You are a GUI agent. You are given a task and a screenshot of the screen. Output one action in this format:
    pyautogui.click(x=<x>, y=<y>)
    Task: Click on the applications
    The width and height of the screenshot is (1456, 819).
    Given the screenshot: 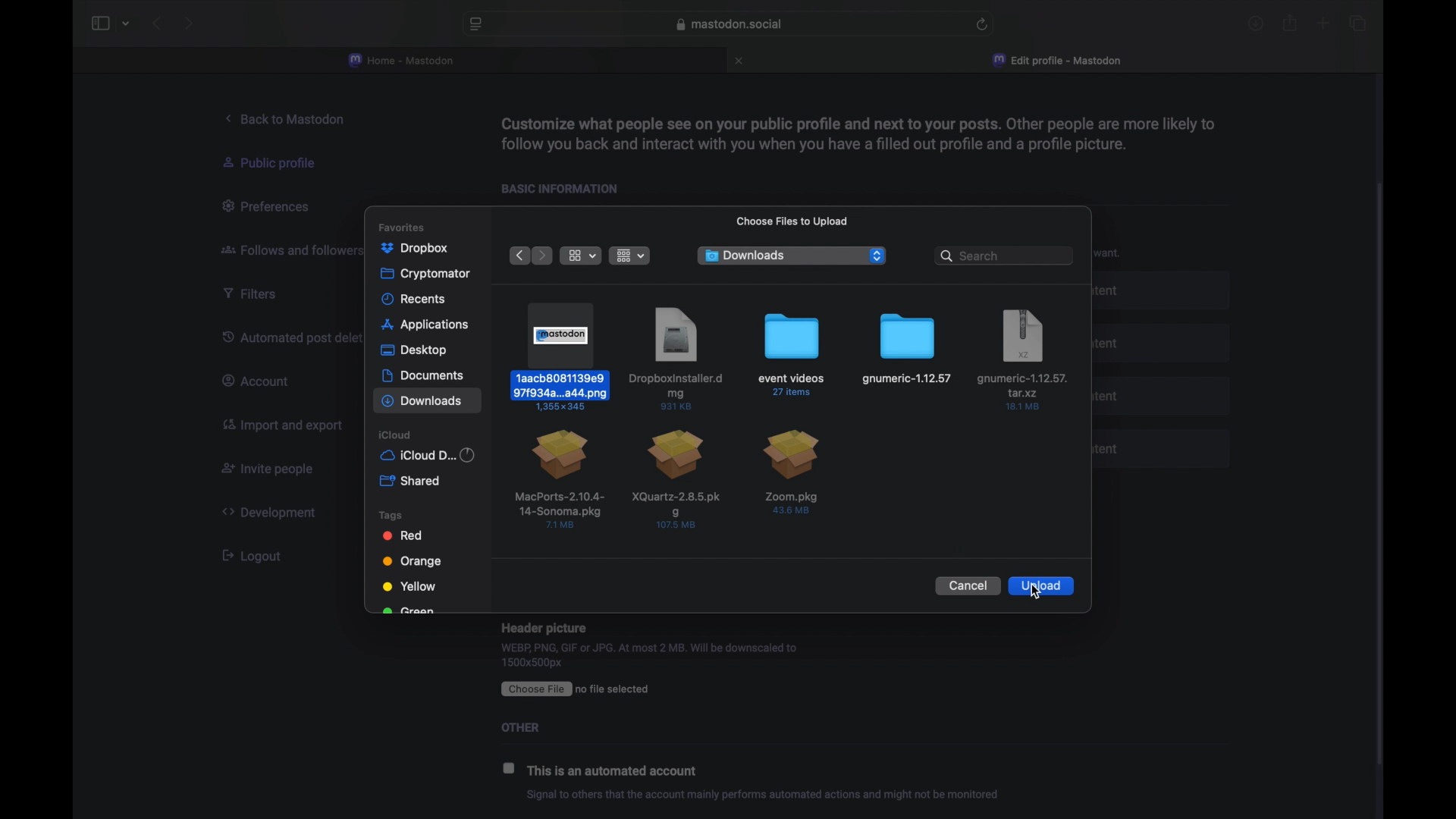 What is the action you would take?
    pyautogui.click(x=426, y=325)
    